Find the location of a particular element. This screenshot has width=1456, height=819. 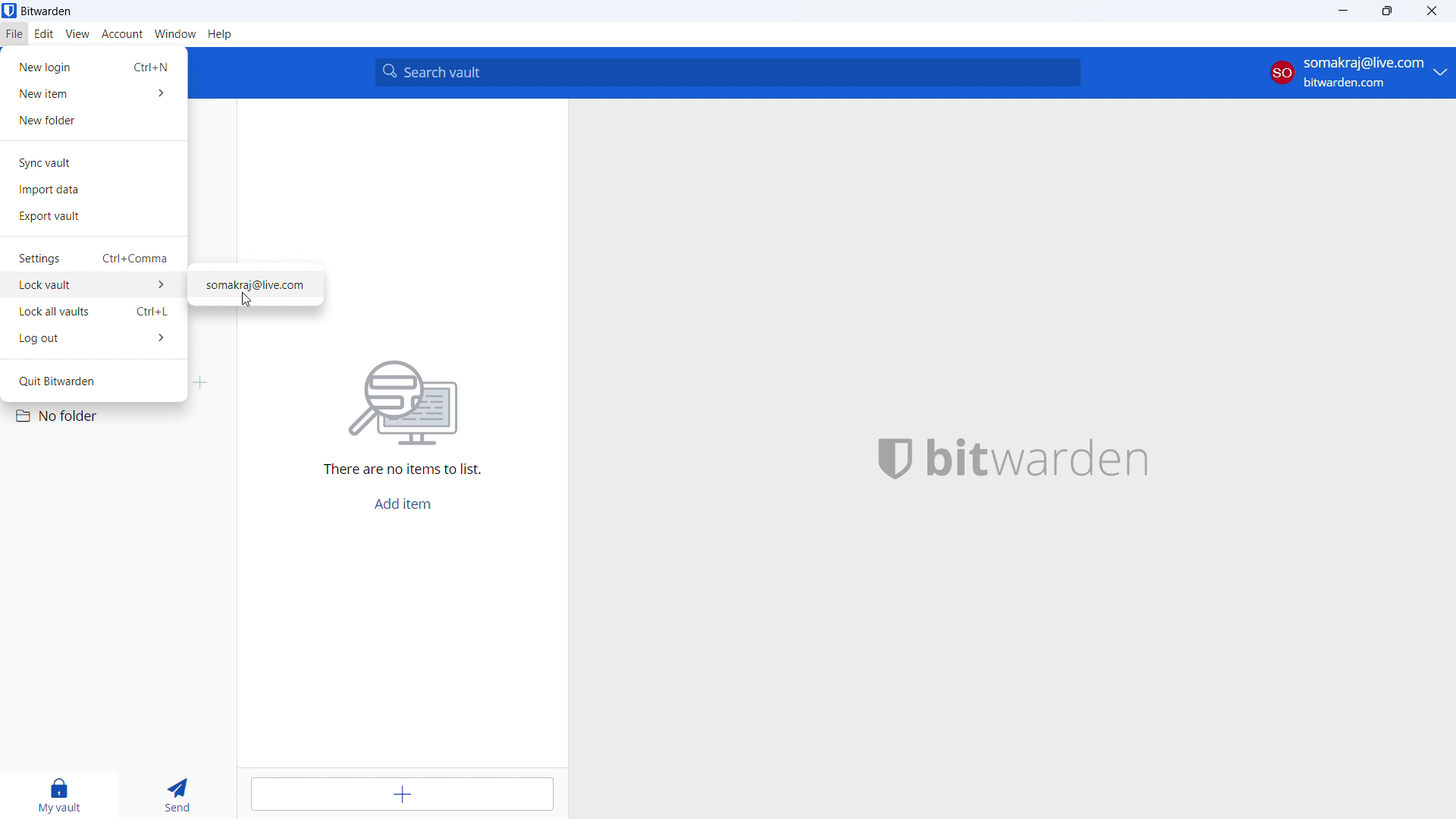

add item is located at coordinates (400, 504).